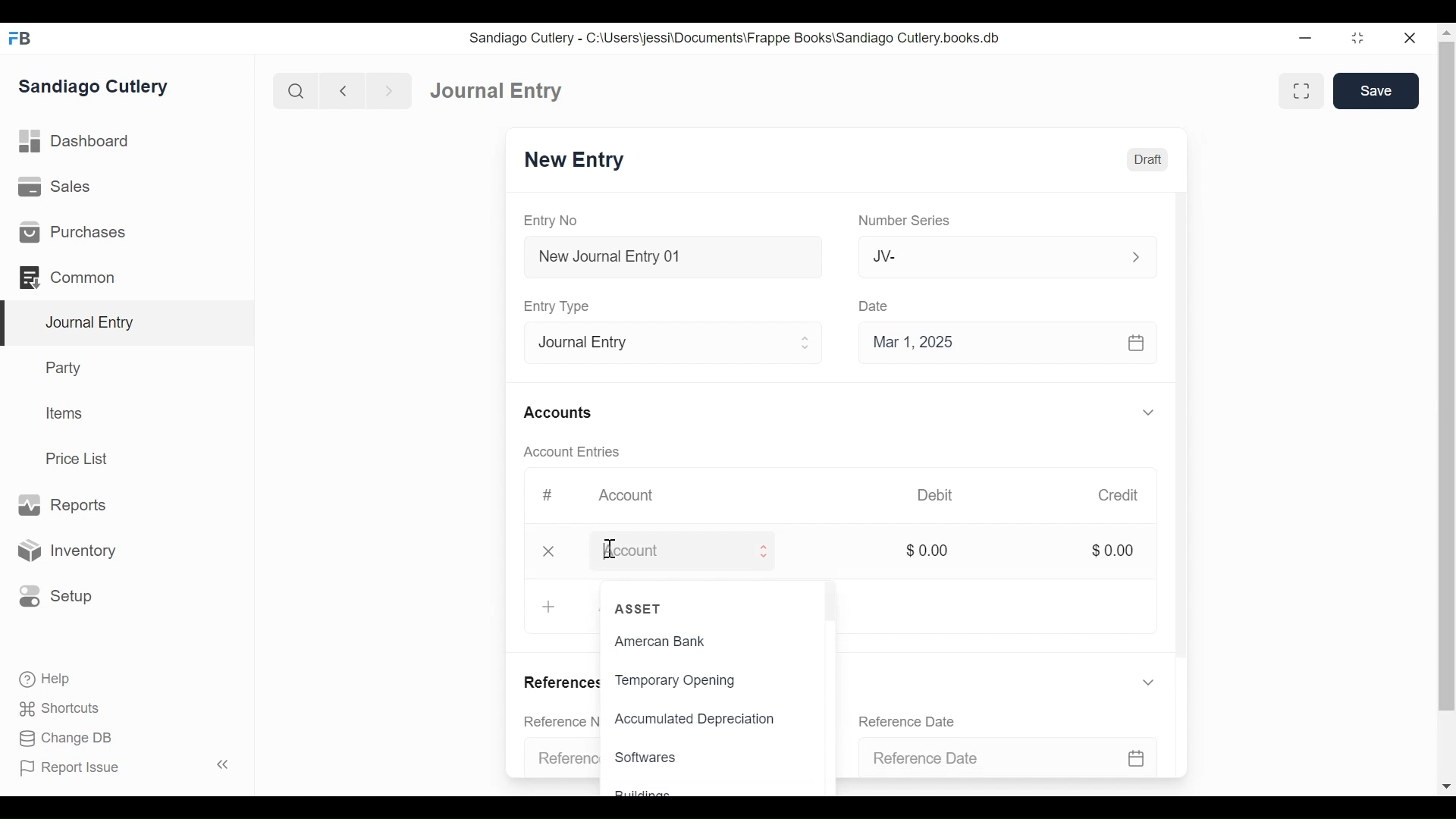  I want to click on Account Entries, so click(576, 452).